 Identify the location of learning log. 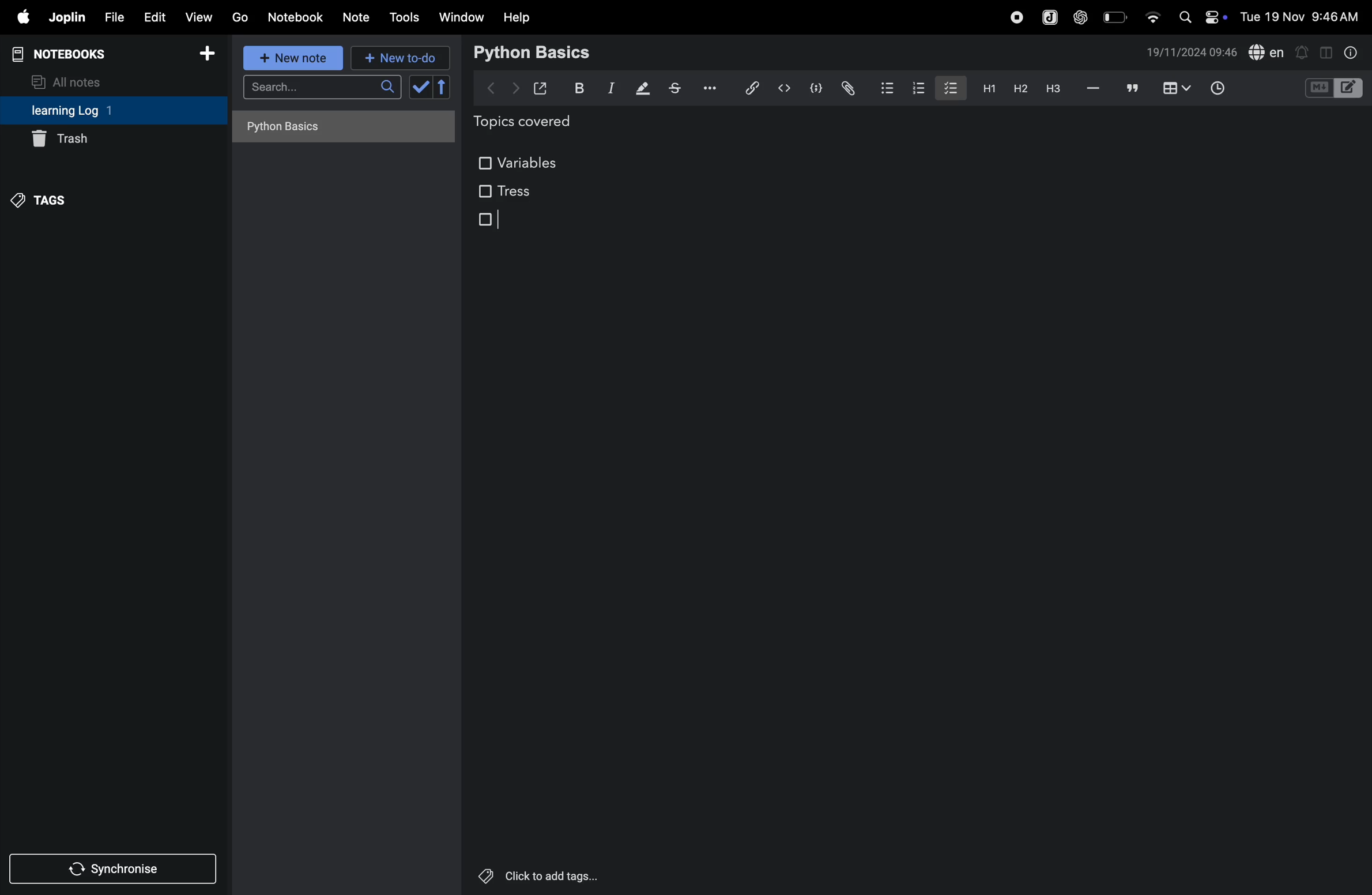
(88, 111).